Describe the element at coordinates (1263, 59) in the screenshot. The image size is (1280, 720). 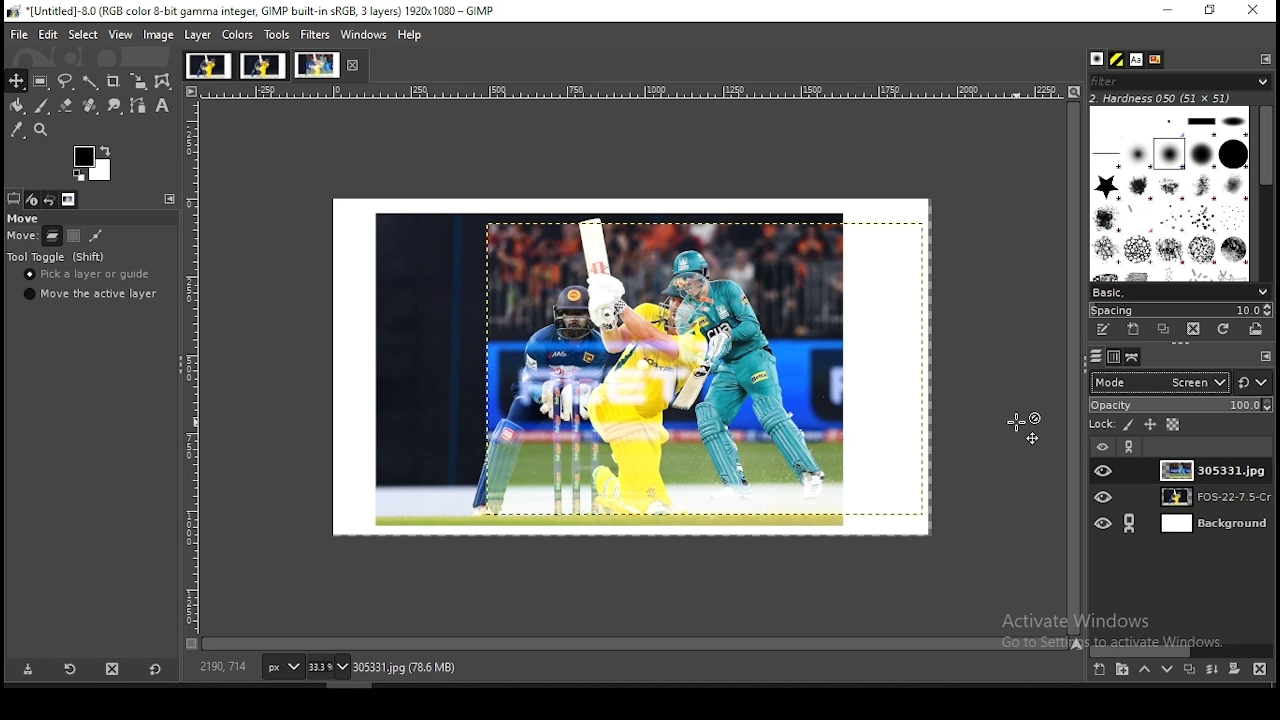
I see `configure this tab` at that location.